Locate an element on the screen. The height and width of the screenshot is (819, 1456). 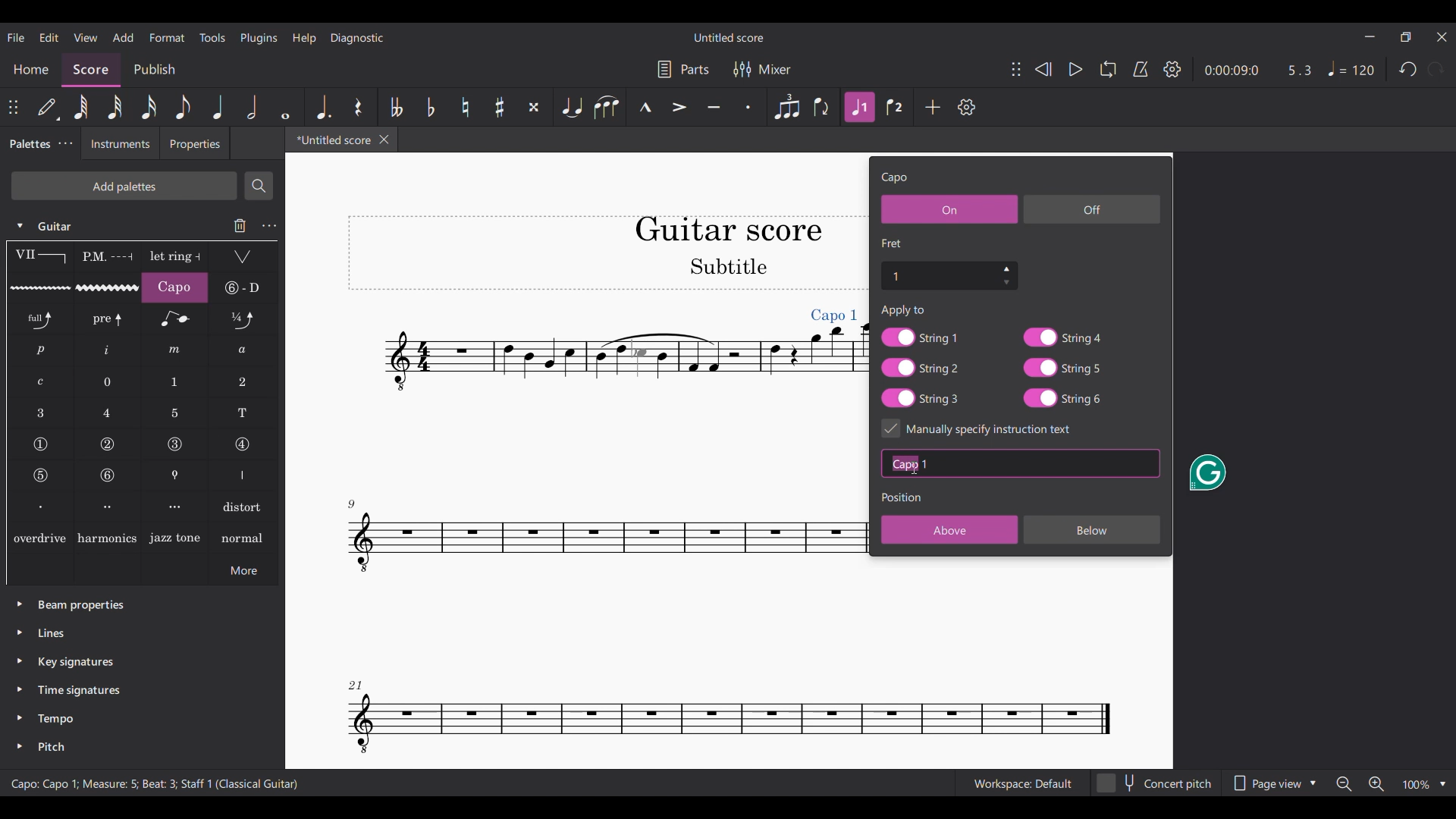
Zoom in is located at coordinates (1376, 784).